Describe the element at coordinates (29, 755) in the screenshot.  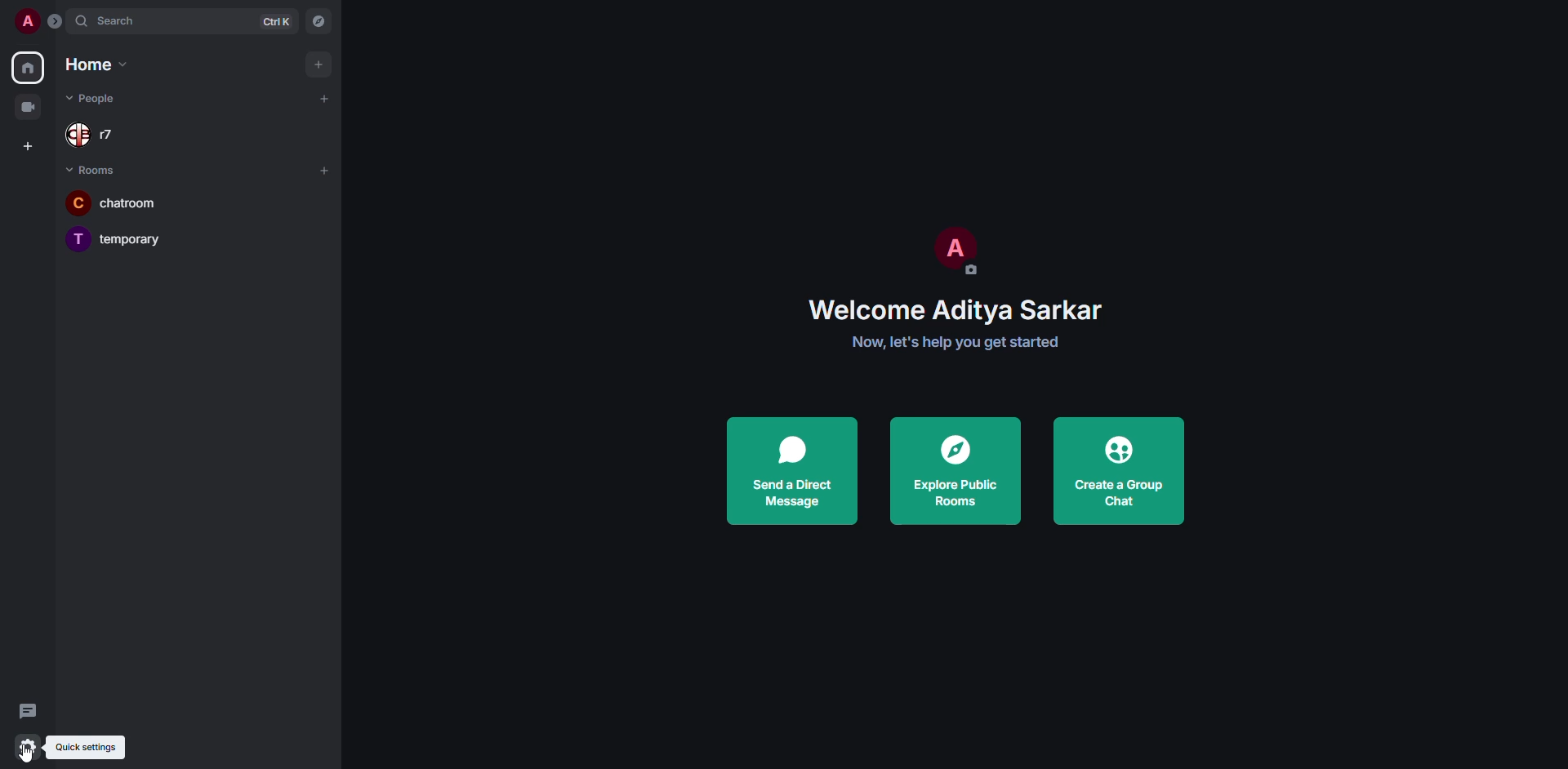
I see `cursor` at that location.